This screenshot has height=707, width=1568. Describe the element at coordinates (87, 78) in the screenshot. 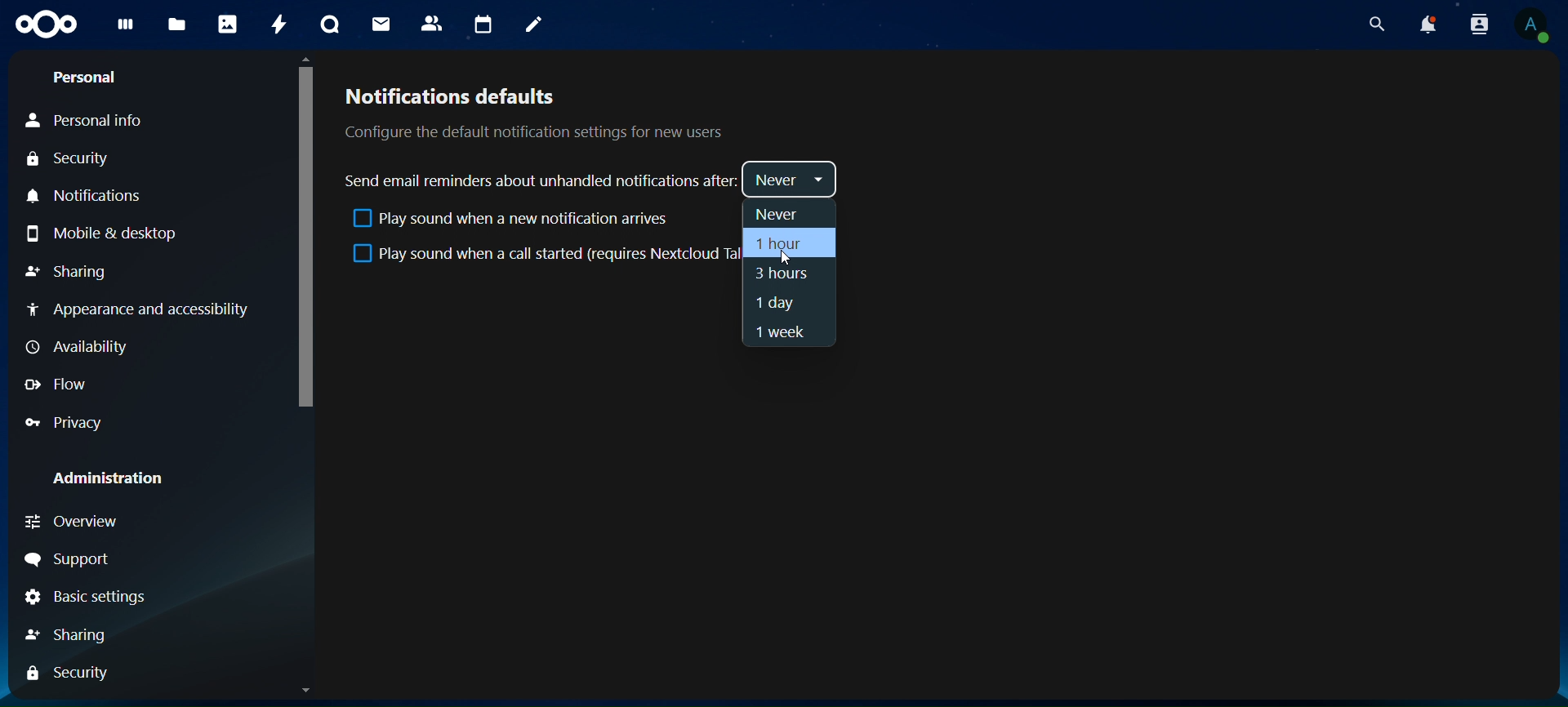

I see `Personal` at that location.